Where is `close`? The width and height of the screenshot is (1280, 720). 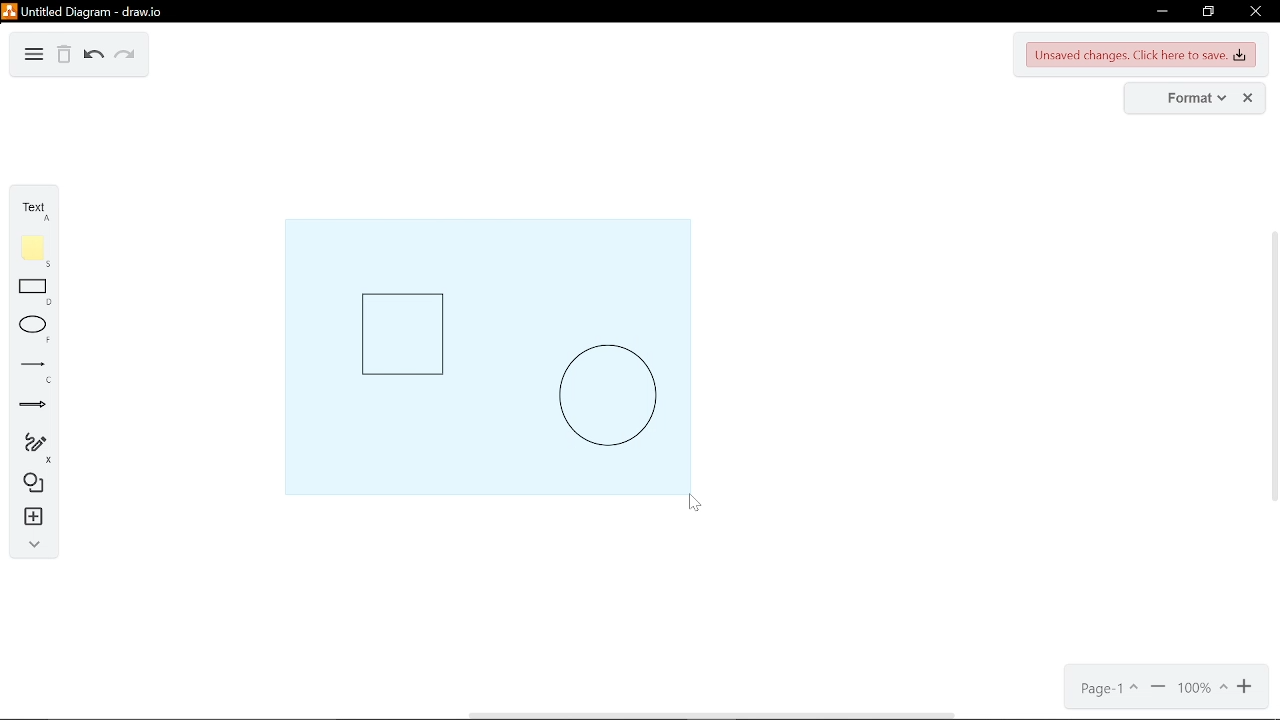
close is located at coordinates (1257, 13).